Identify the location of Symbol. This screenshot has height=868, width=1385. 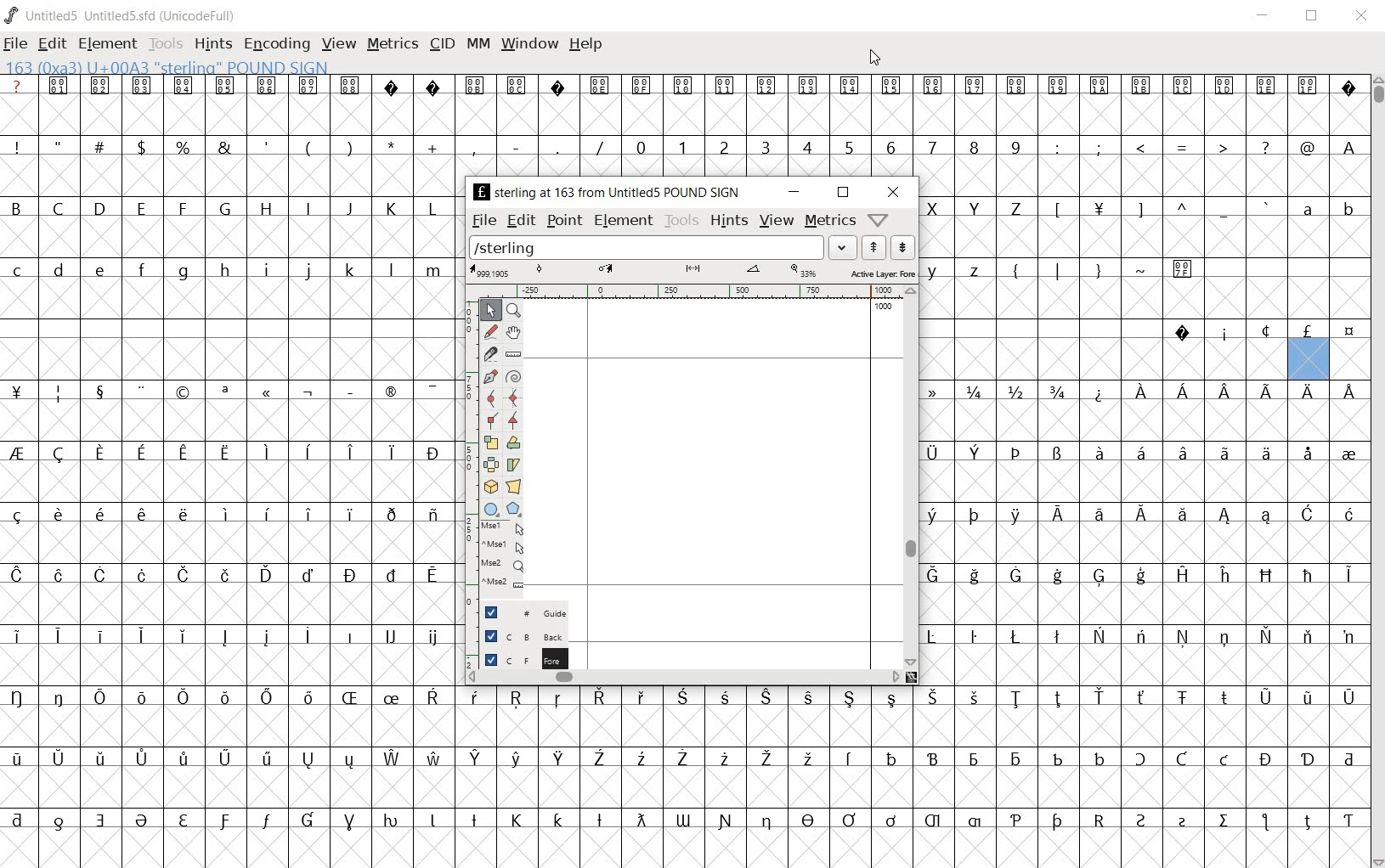
(140, 696).